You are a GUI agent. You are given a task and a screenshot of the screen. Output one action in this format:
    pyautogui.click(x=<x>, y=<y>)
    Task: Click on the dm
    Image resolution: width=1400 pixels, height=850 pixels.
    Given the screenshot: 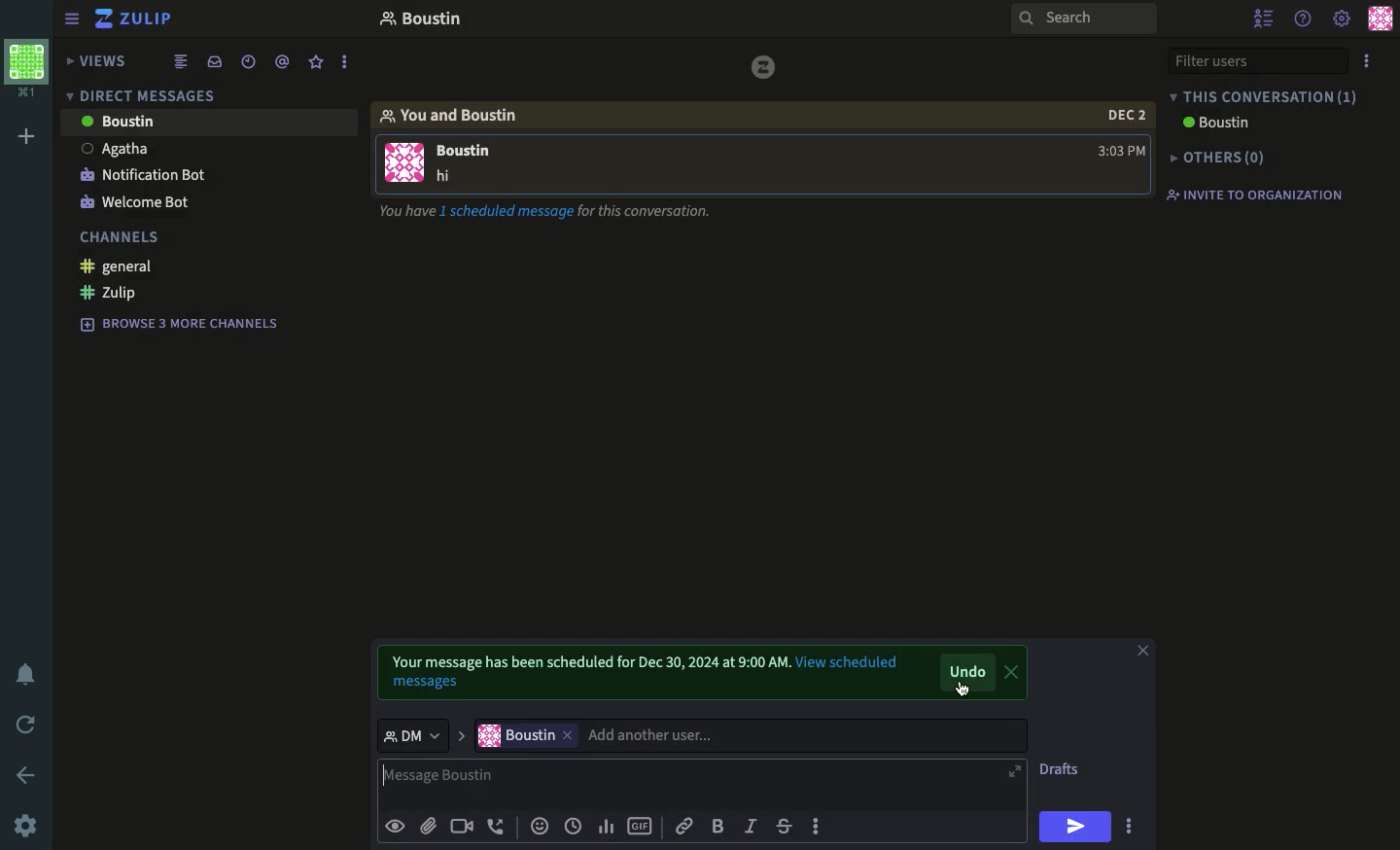 What is the action you would take?
    pyautogui.click(x=420, y=735)
    